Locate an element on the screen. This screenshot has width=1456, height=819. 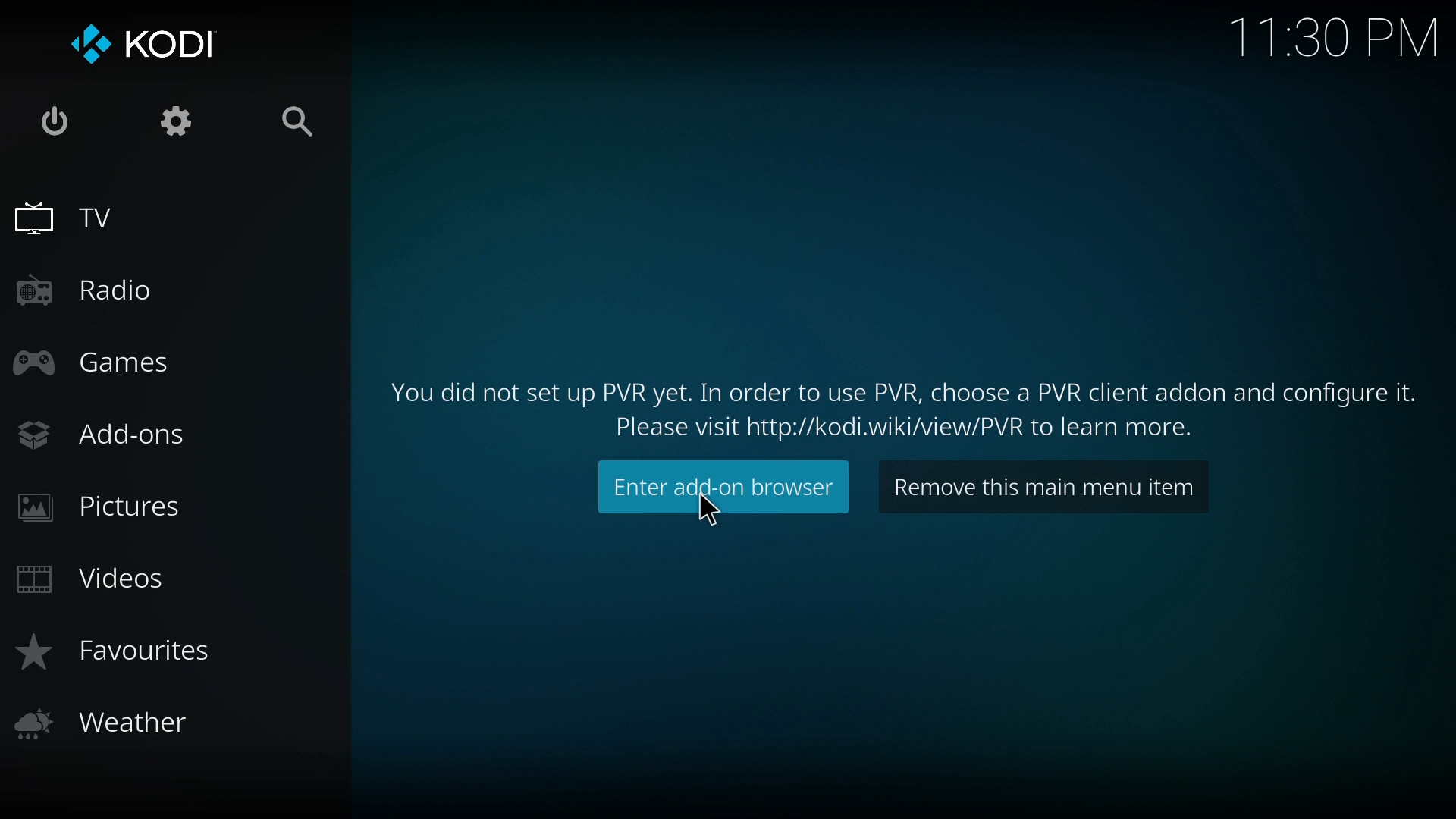
tv is located at coordinates (78, 219).